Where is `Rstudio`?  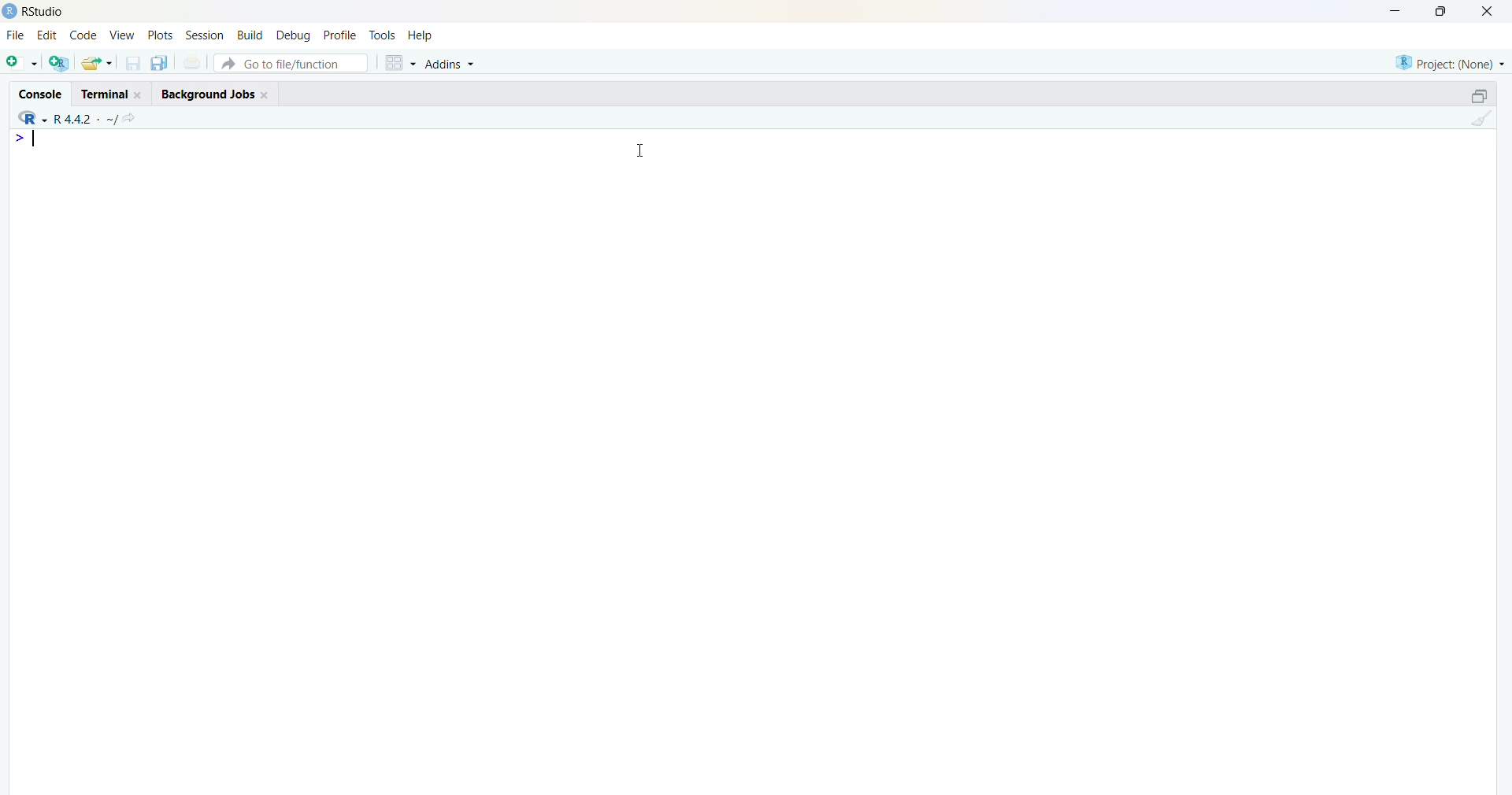
Rstudio is located at coordinates (48, 12).